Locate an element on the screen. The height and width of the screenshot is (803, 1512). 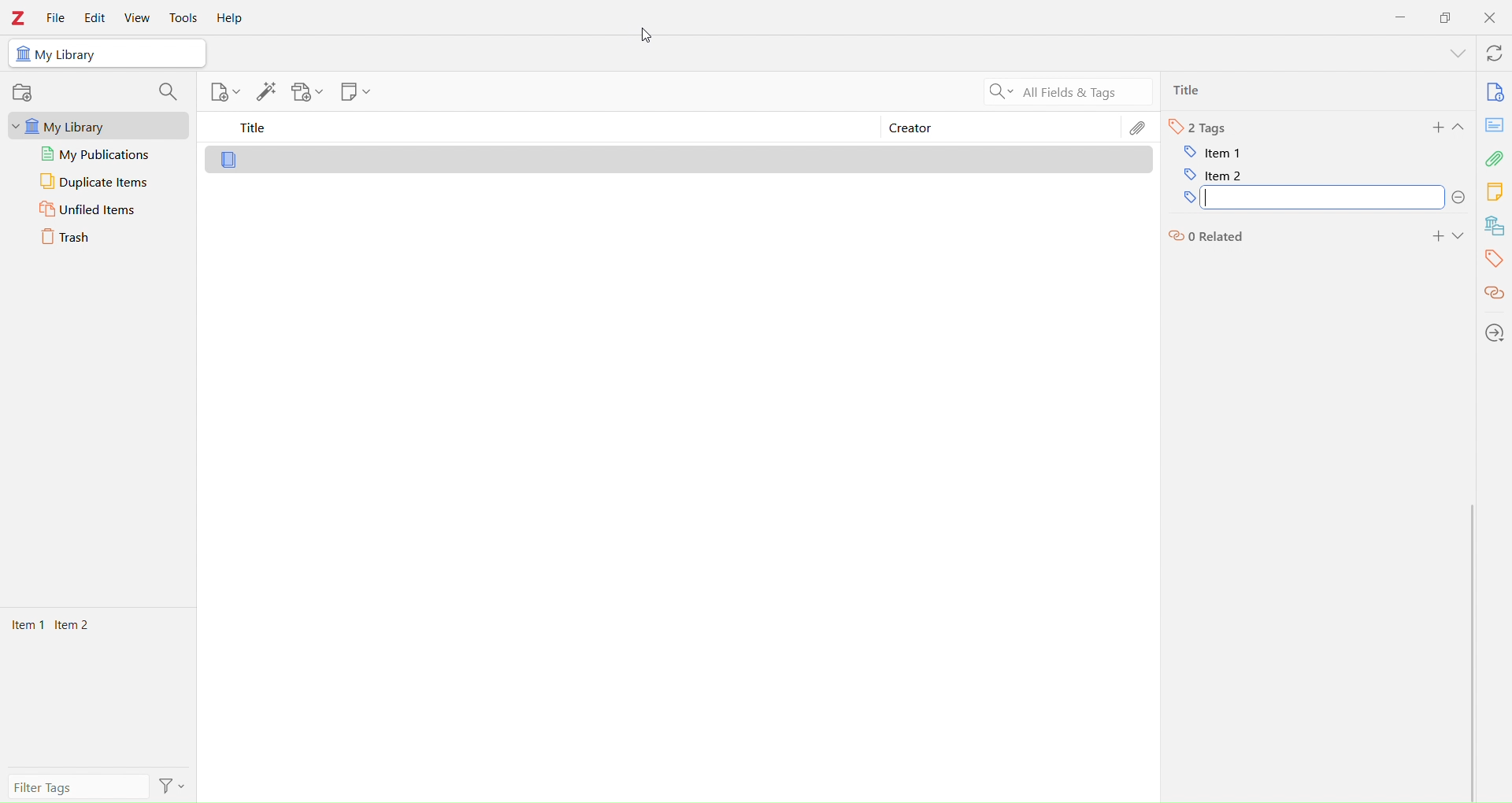
cursor is located at coordinates (639, 35).